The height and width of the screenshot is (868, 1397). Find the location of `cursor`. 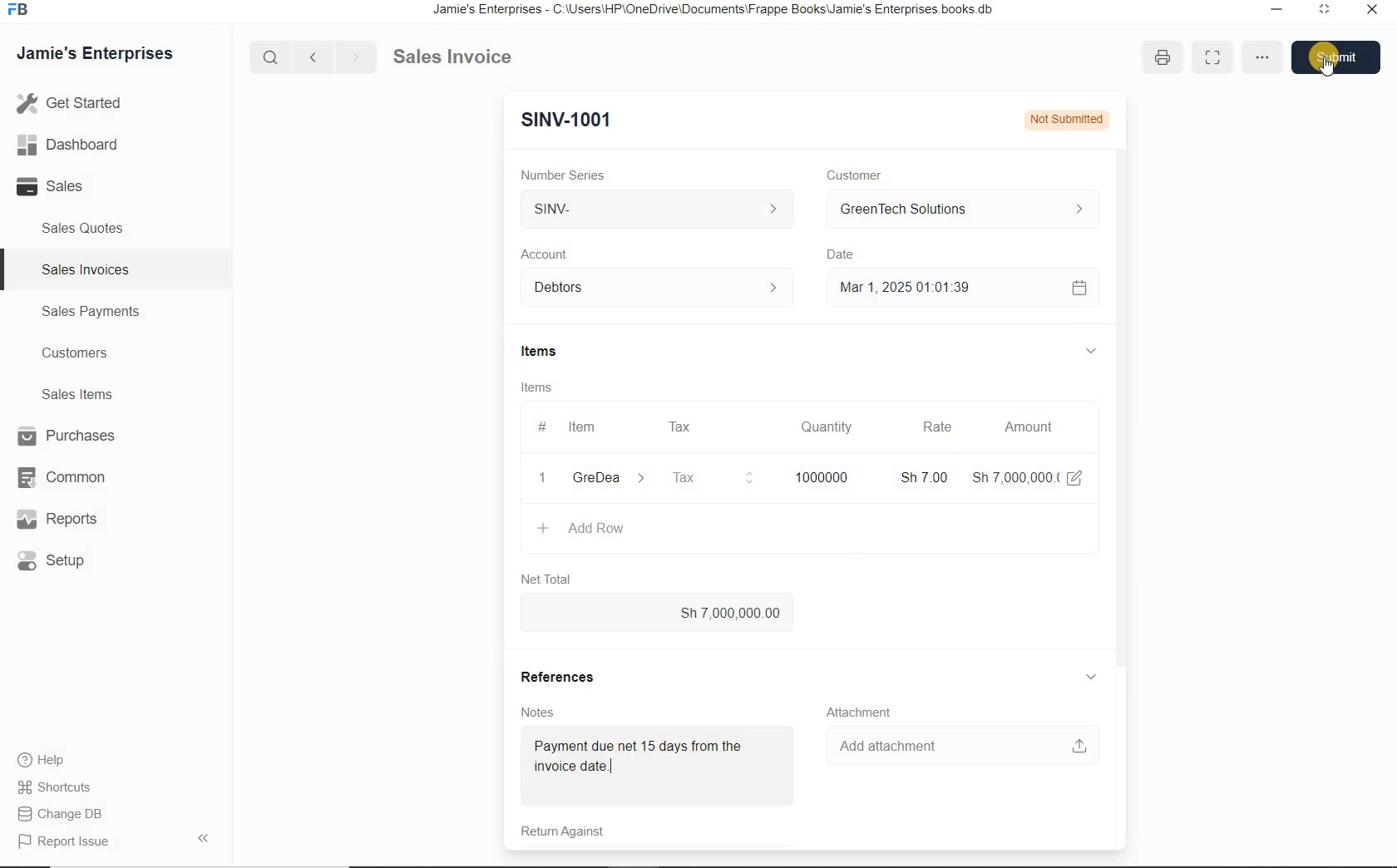

cursor is located at coordinates (1326, 72).